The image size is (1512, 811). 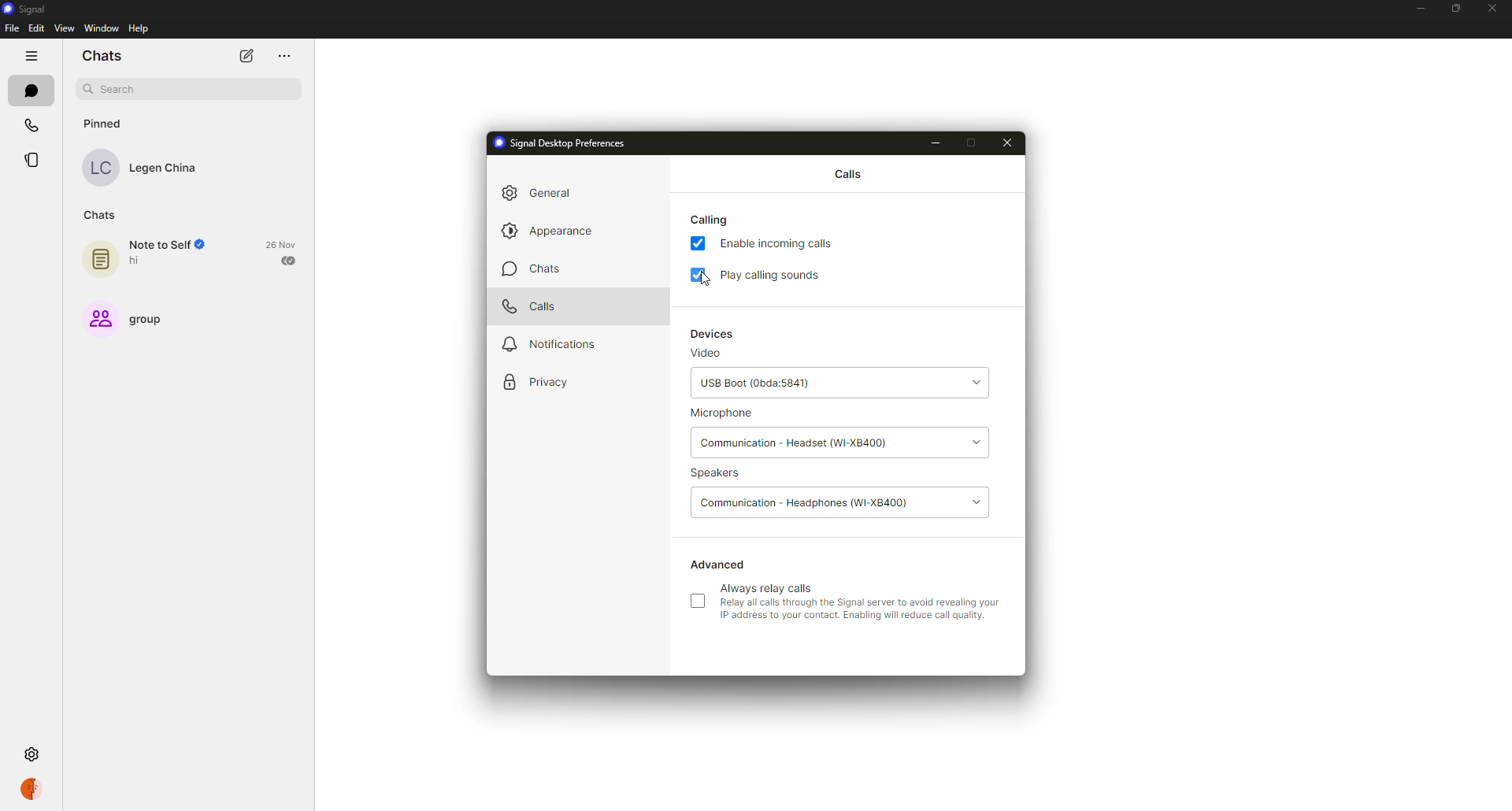 I want to click on search, so click(x=116, y=89).